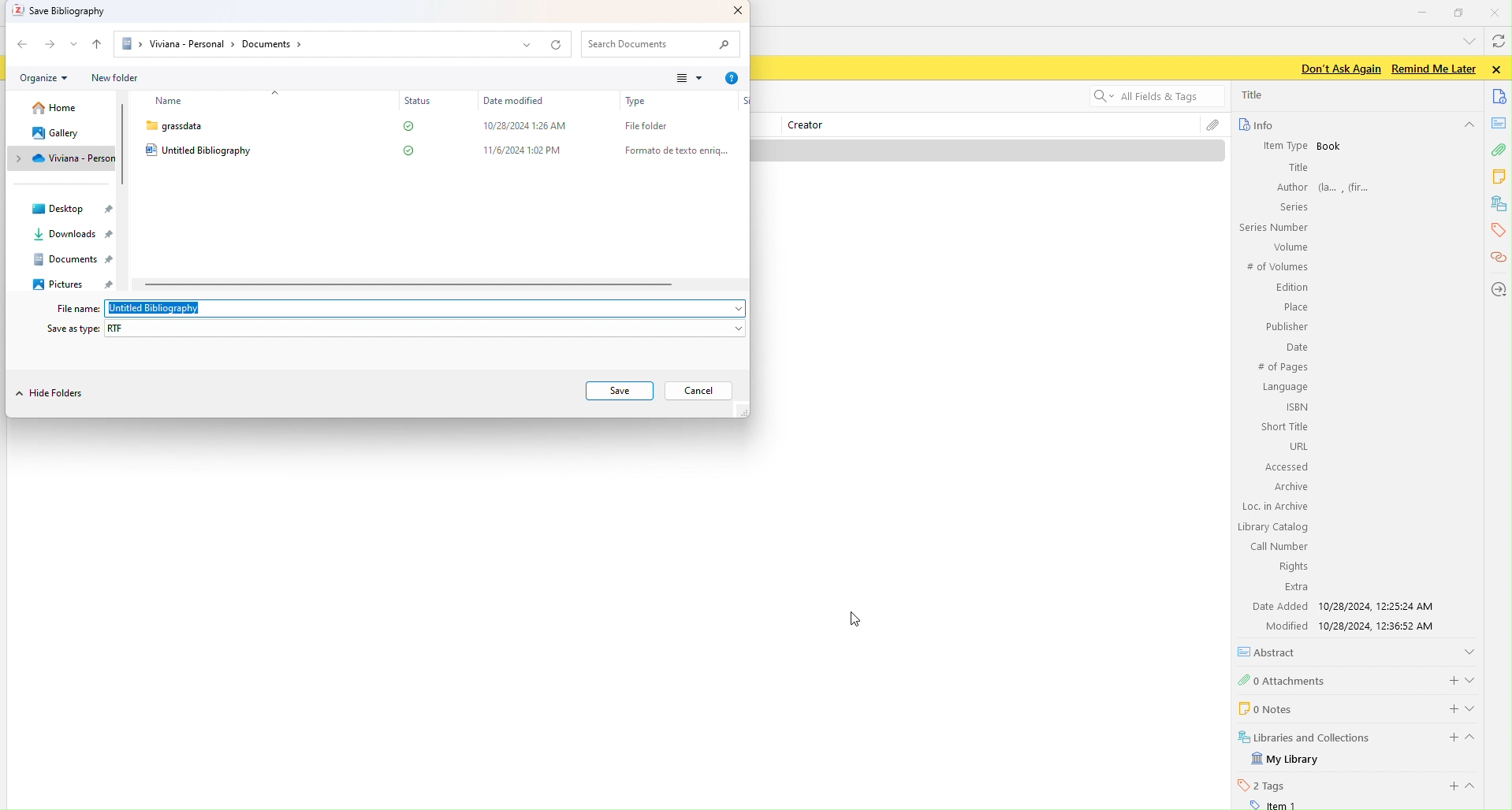  Describe the element at coordinates (1447, 738) in the screenshot. I see `add` at that location.